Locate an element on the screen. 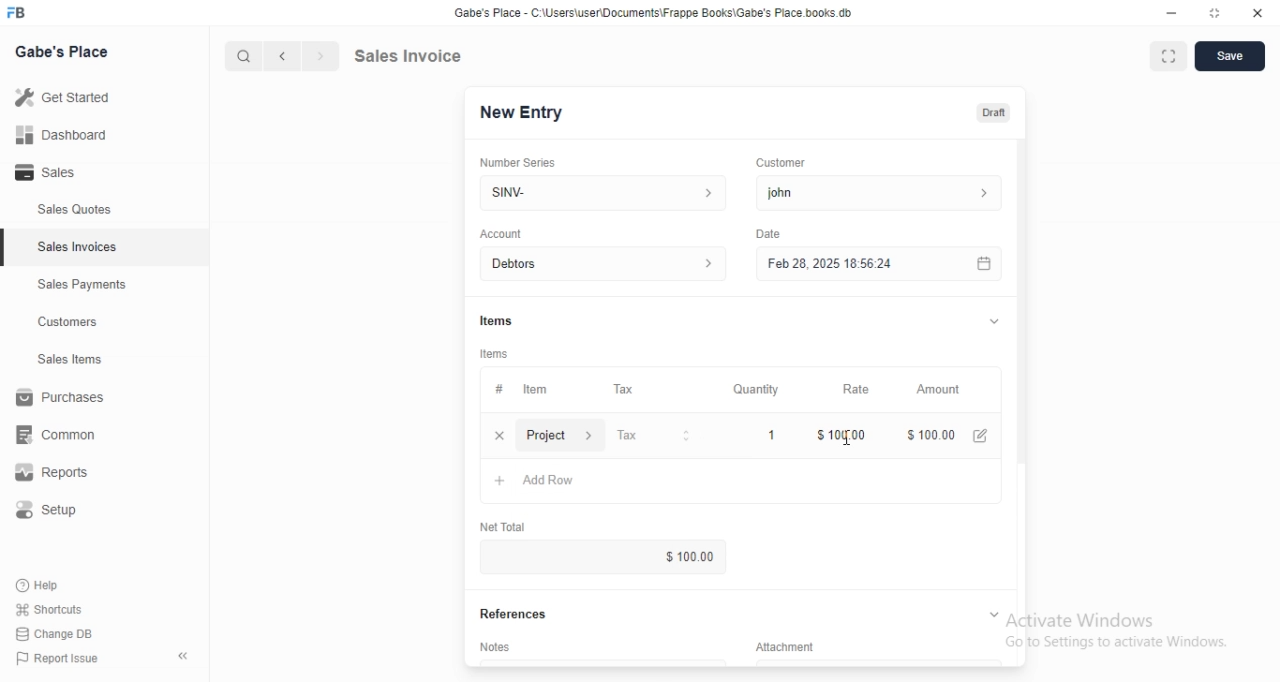 The width and height of the screenshot is (1280, 682). New Entry is located at coordinates (528, 112).